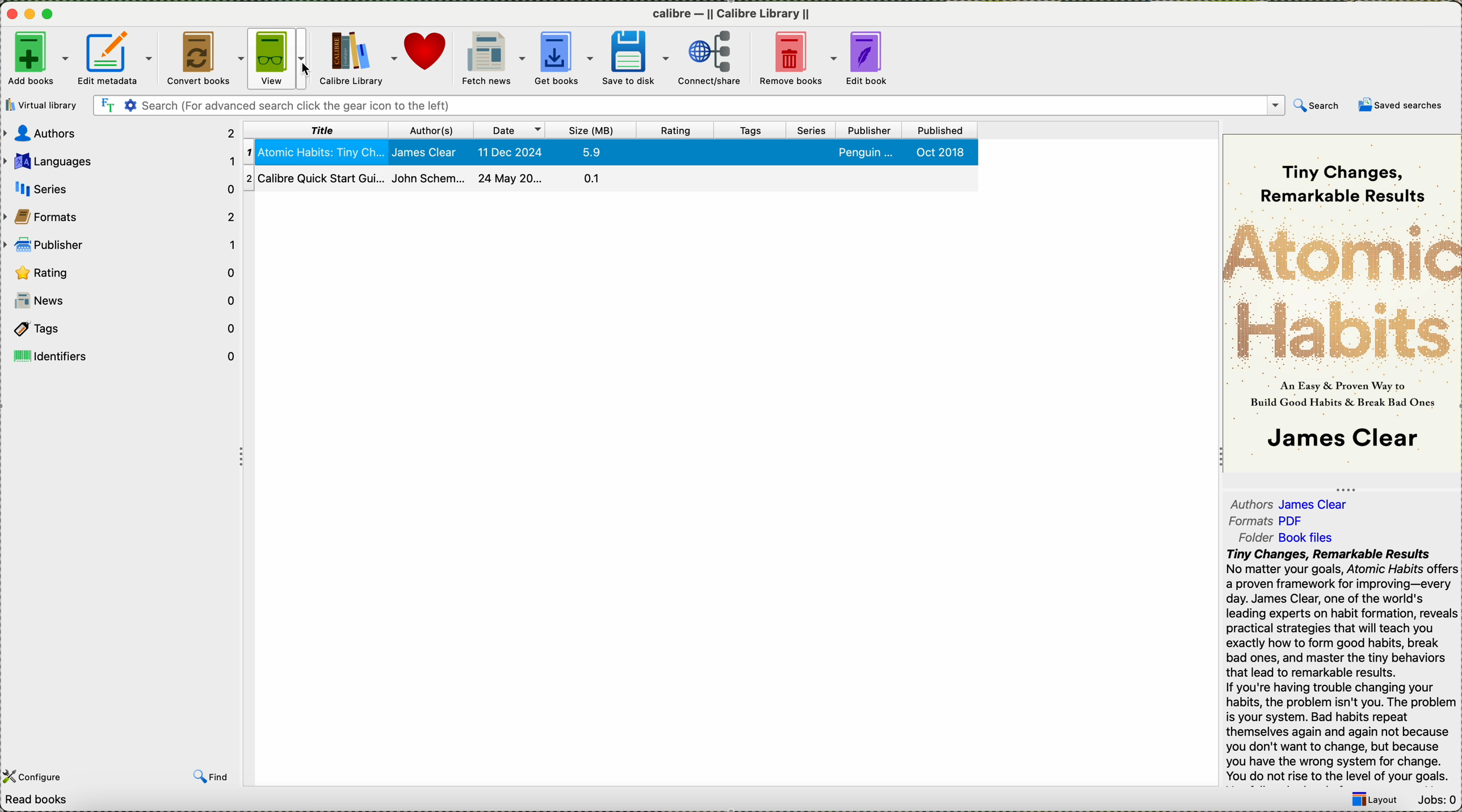 This screenshot has width=1462, height=812. Describe the element at coordinates (48, 14) in the screenshot. I see `maximize` at that location.